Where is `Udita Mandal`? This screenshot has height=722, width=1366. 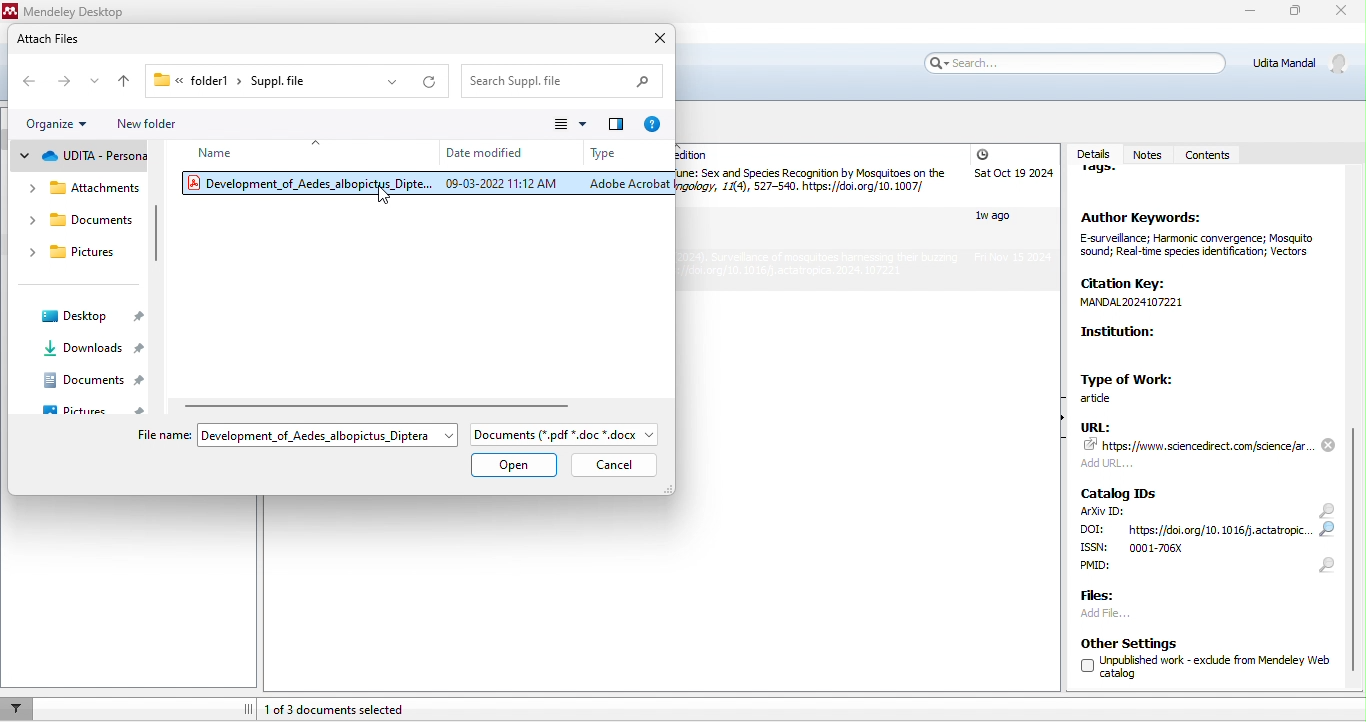
Udita Mandal is located at coordinates (1305, 63).